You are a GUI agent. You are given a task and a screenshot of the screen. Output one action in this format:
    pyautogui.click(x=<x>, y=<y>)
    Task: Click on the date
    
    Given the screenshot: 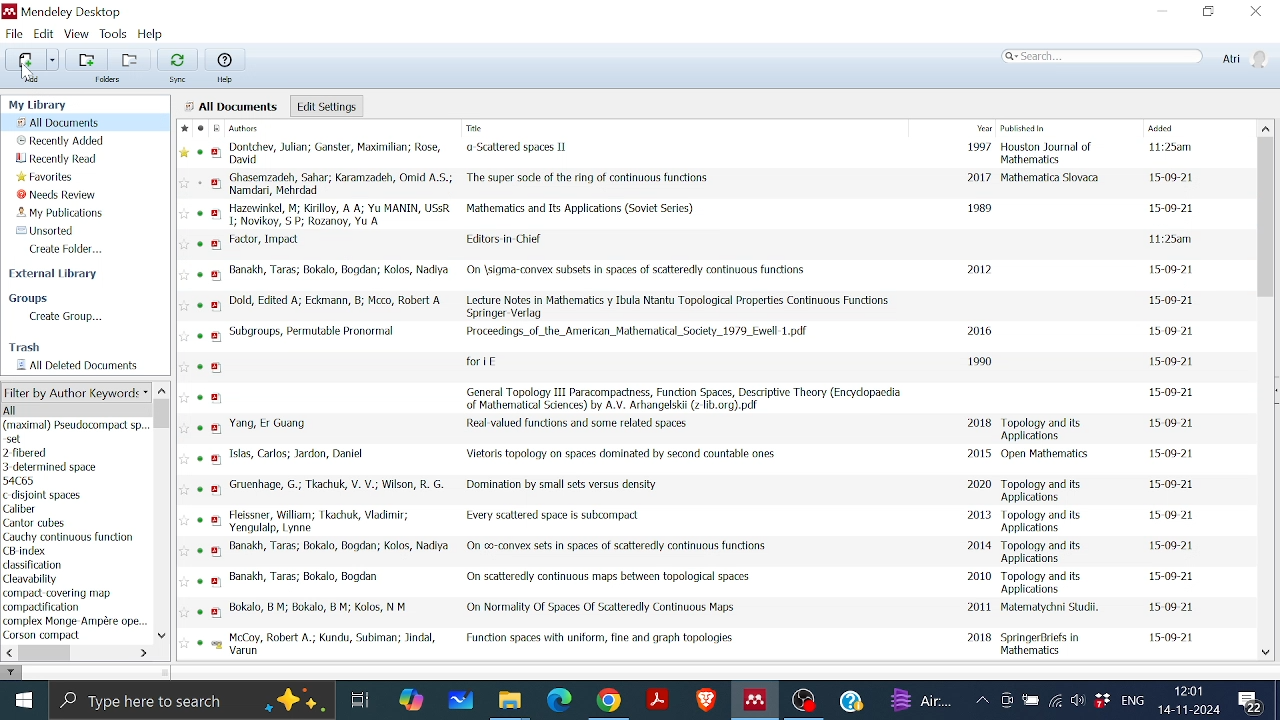 What is the action you would take?
    pyautogui.click(x=1170, y=240)
    